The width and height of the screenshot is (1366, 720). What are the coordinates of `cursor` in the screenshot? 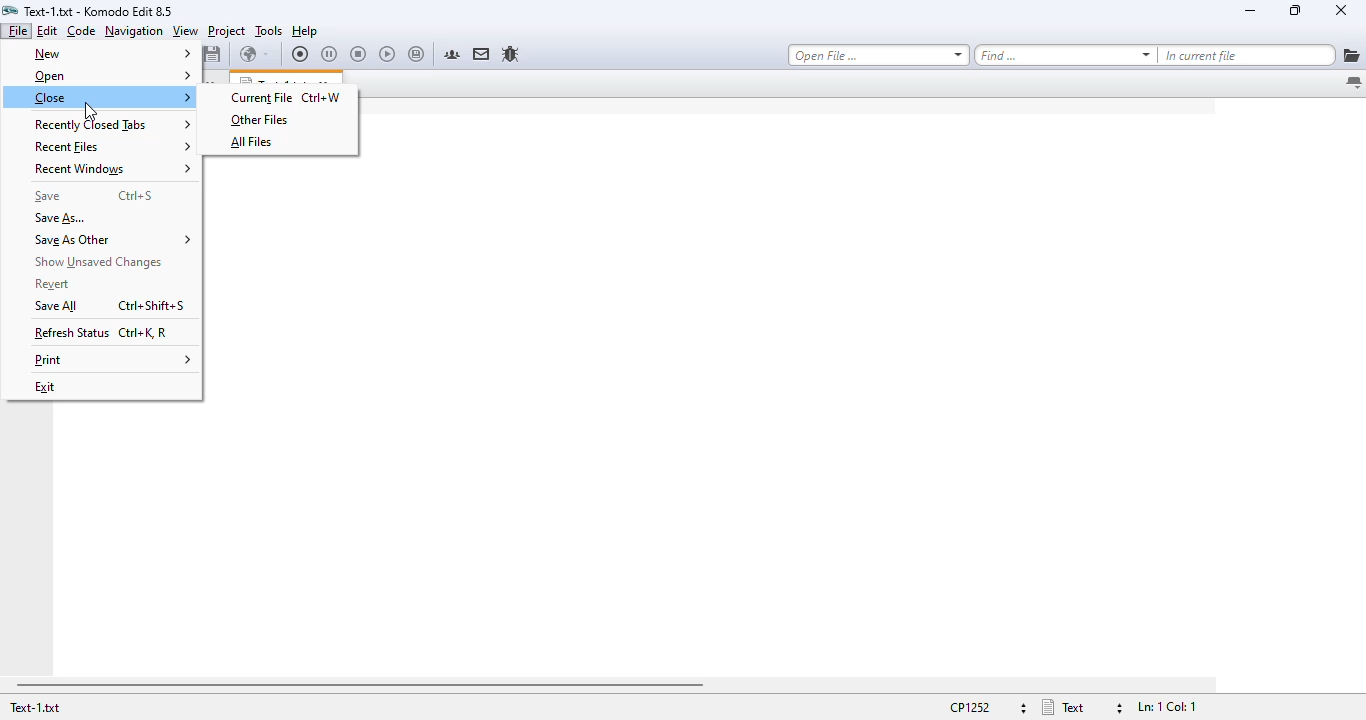 It's located at (90, 111).